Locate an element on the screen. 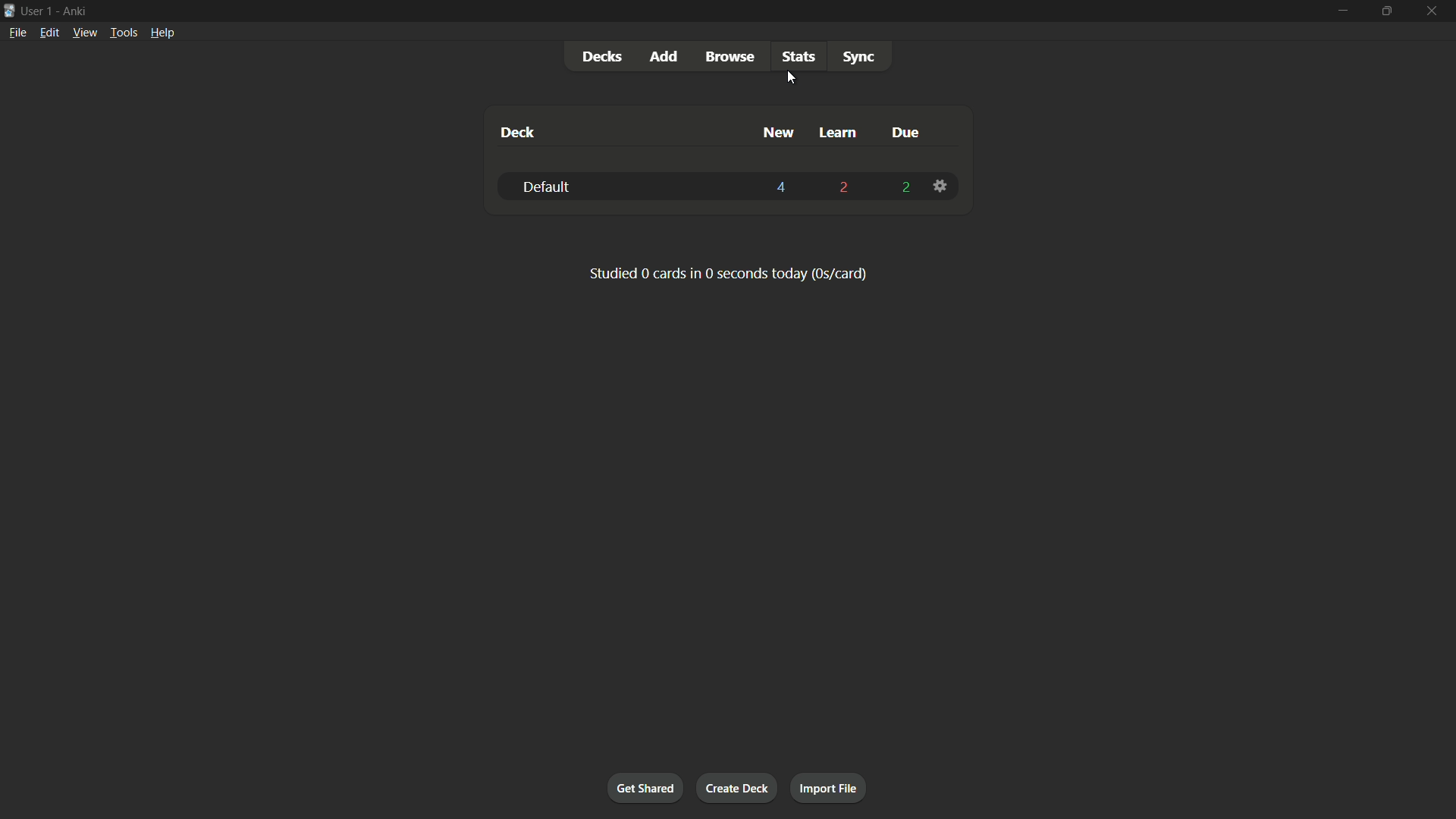 Image resolution: width=1456 pixels, height=819 pixels. deck is located at coordinates (516, 134).